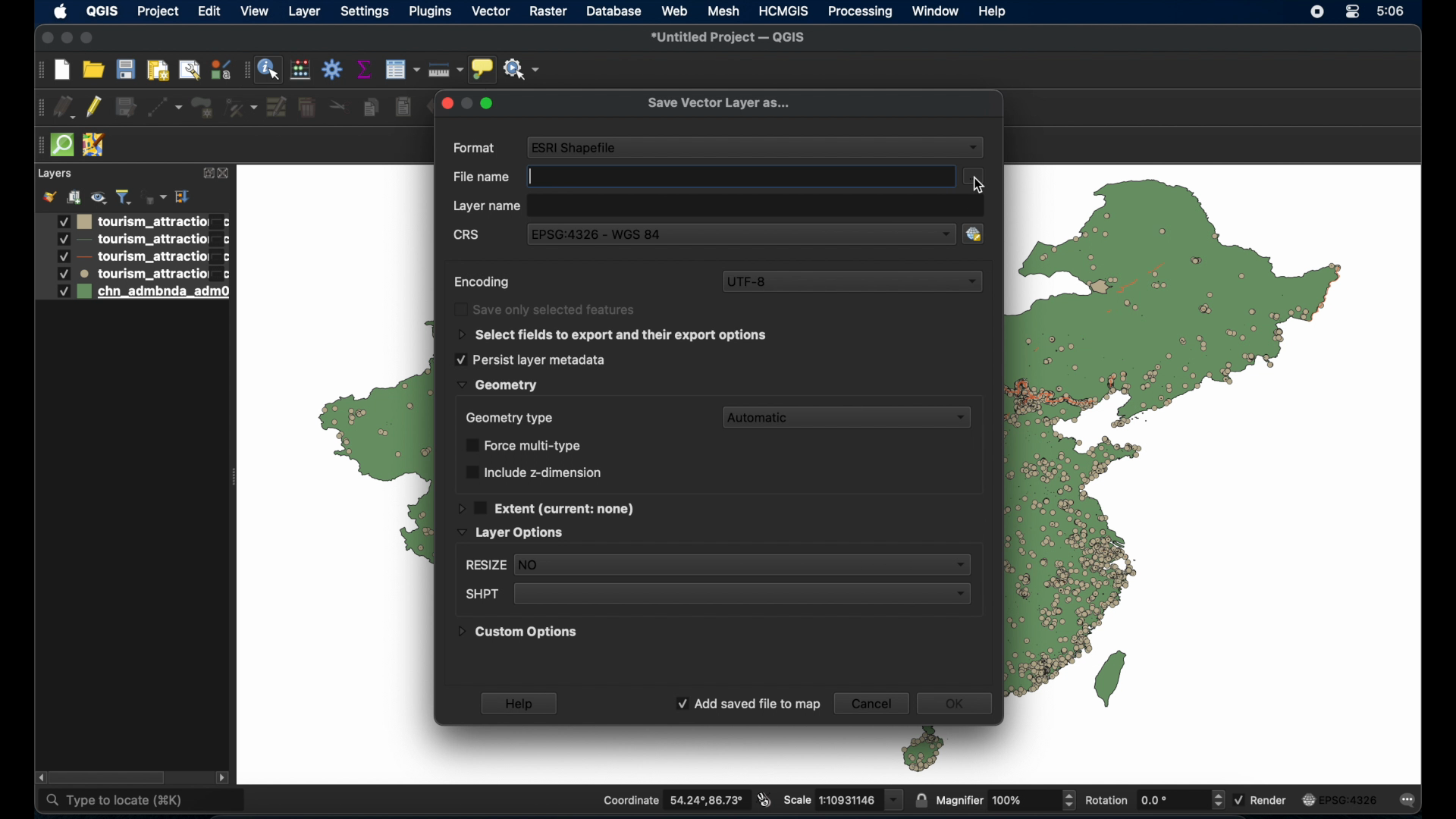 This screenshot has height=819, width=1456. Describe the element at coordinates (95, 146) in the screenshot. I see `jsom remote` at that location.